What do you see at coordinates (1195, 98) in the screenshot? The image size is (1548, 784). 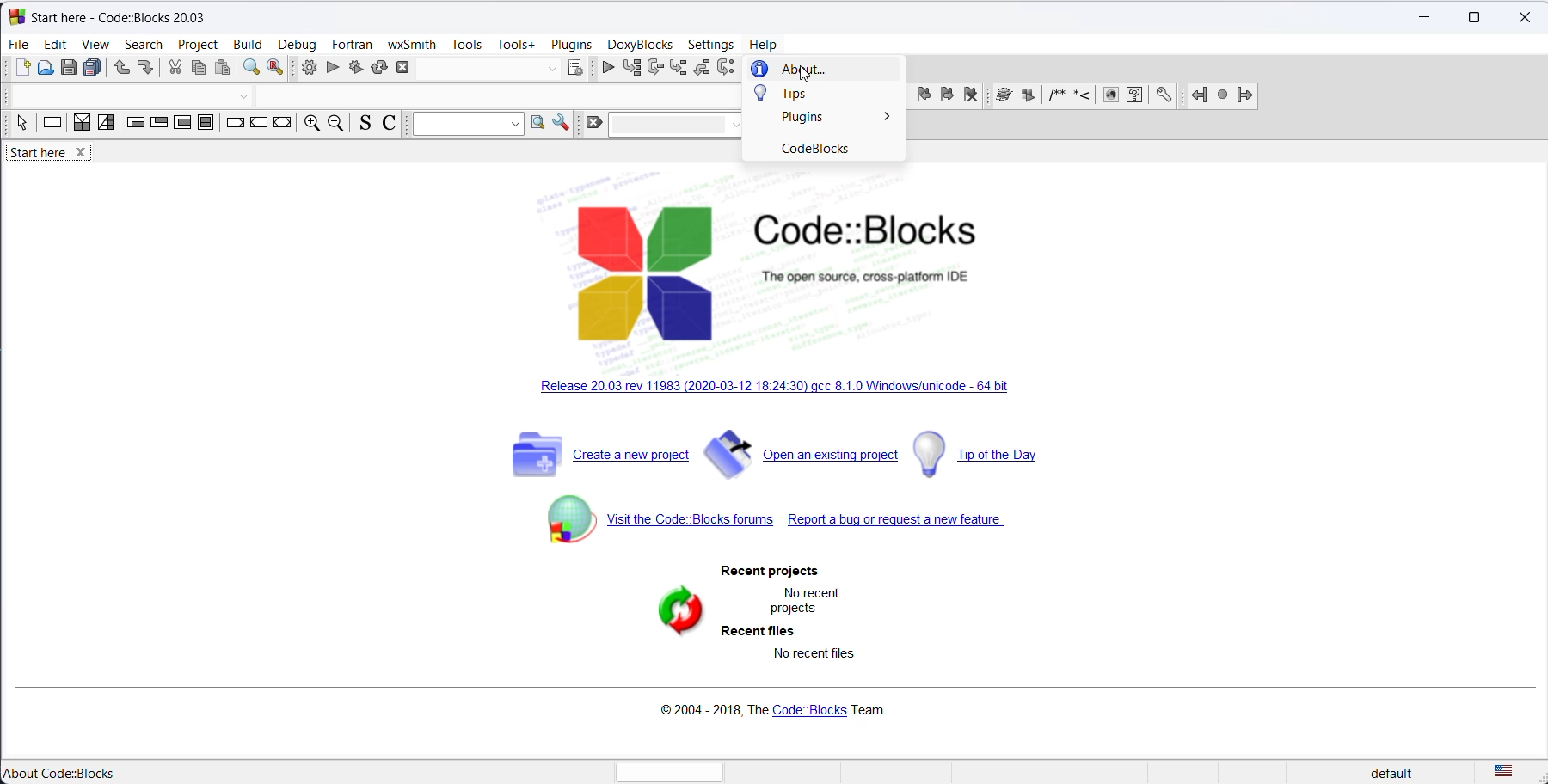 I see `go back` at bounding box center [1195, 98].